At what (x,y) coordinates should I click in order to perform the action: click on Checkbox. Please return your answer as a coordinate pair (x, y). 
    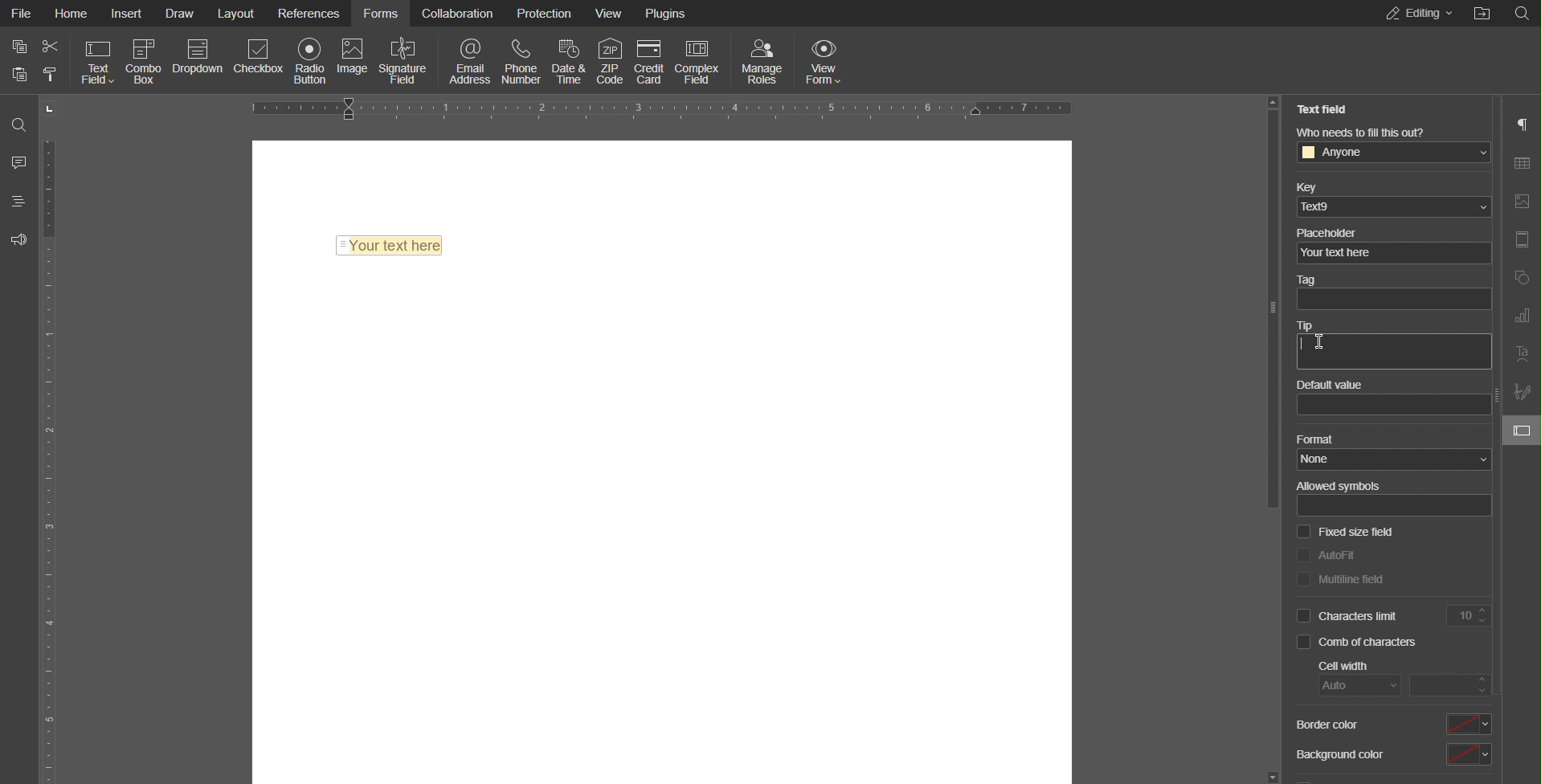
    Looking at the image, I should click on (260, 61).